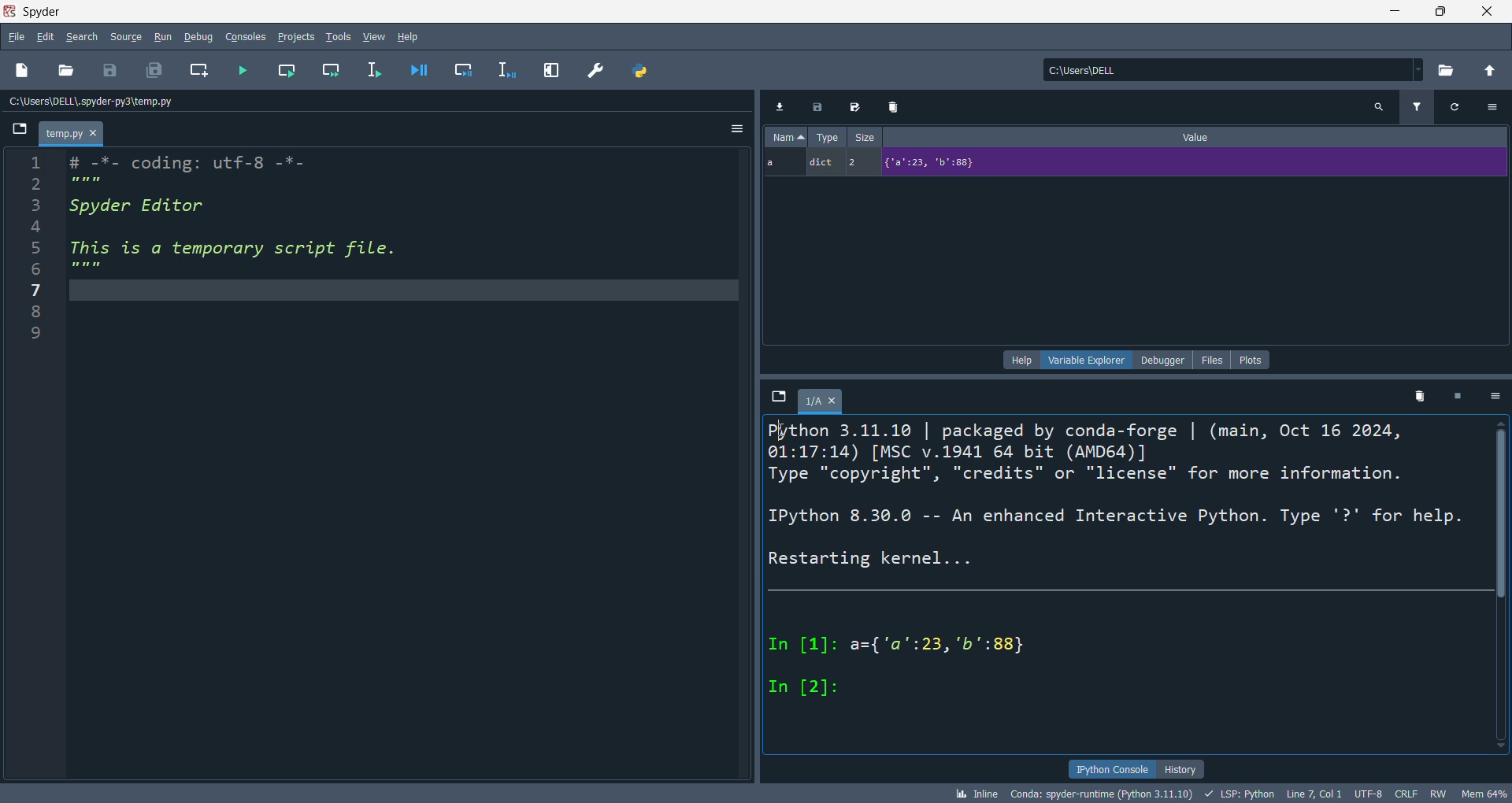 The height and width of the screenshot is (803, 1512). Describe the element at coordinates (1485, 13) in the screenshot. I see `close` at that location.